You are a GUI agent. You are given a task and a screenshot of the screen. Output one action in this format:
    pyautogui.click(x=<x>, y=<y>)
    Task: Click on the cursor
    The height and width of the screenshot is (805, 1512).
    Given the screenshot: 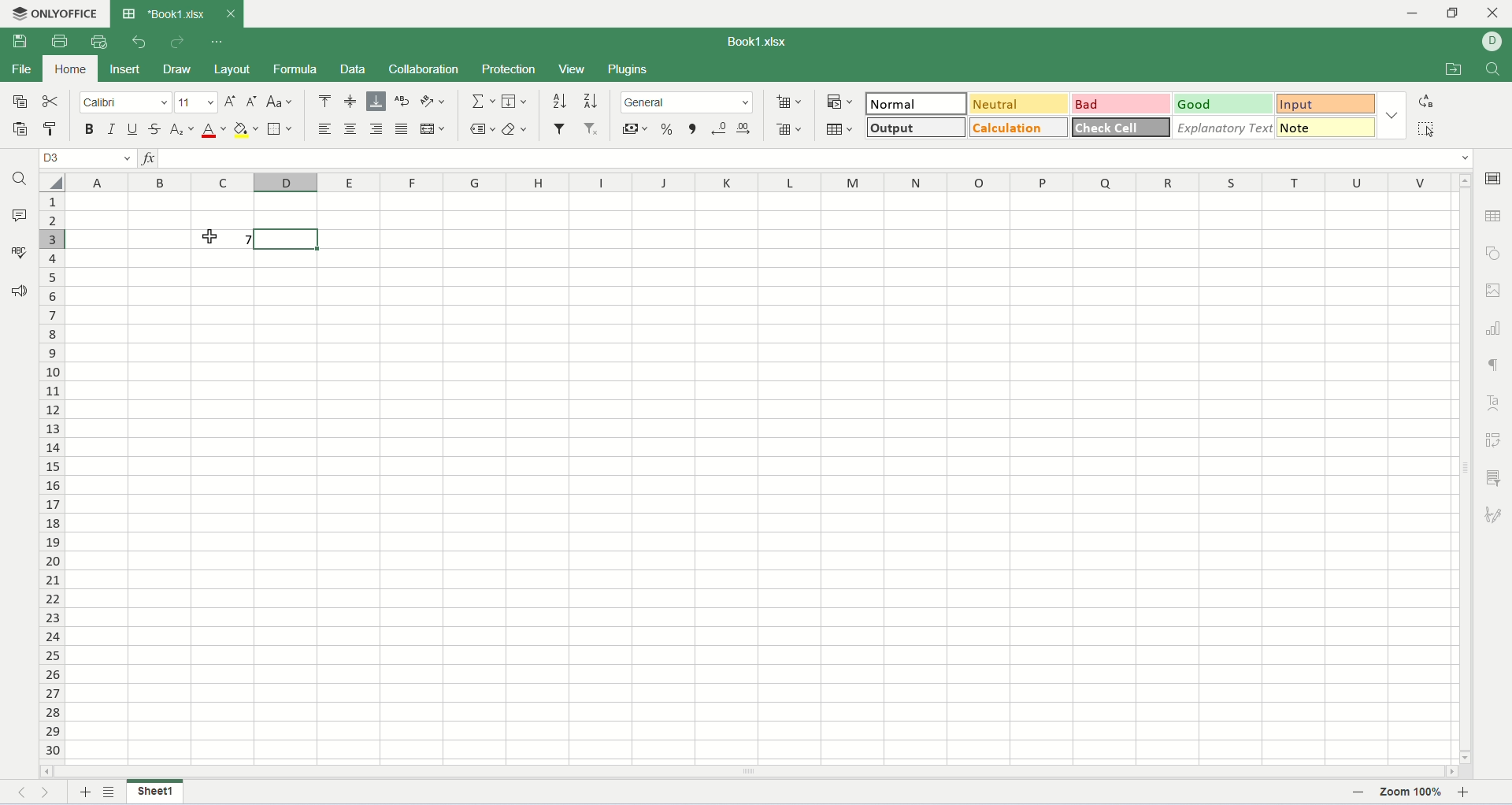 What is the action you would take?
    pyautogui.click(x=207, y=239)
    